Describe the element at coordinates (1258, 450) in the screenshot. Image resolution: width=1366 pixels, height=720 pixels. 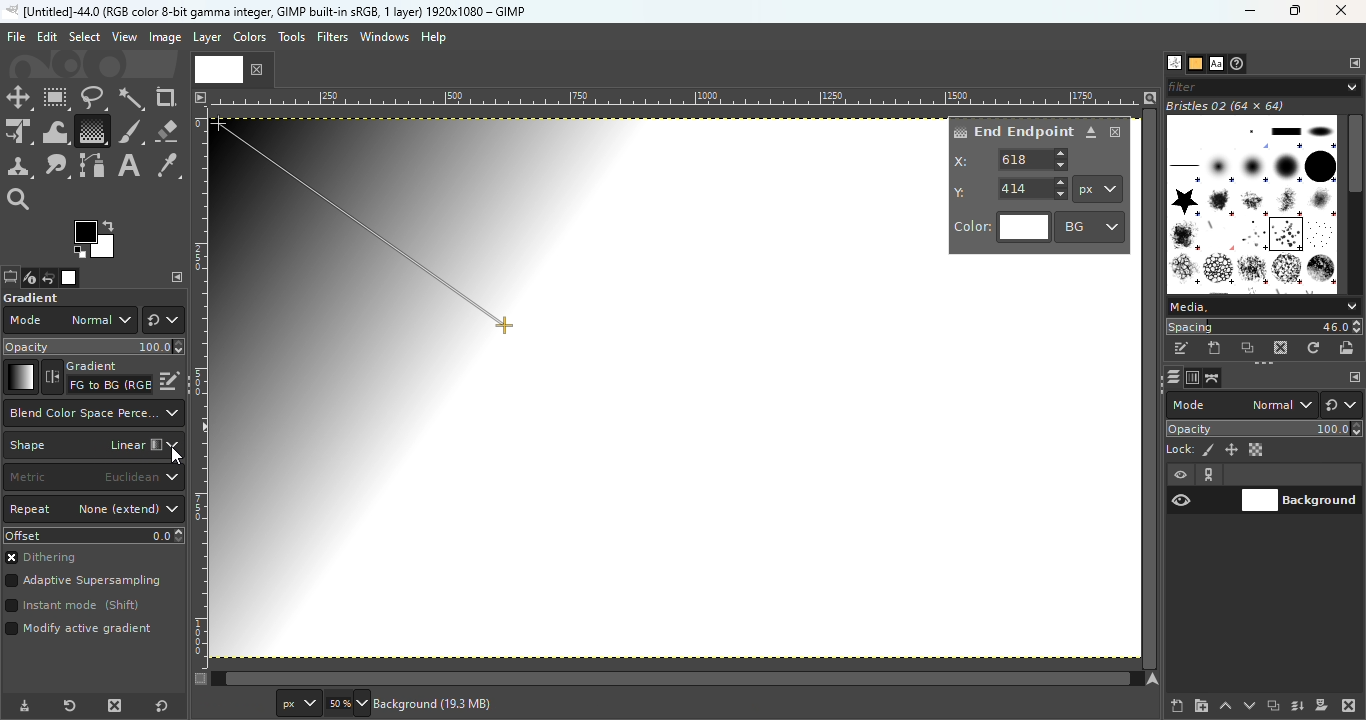
I see `Lock alpha channel` at that location.